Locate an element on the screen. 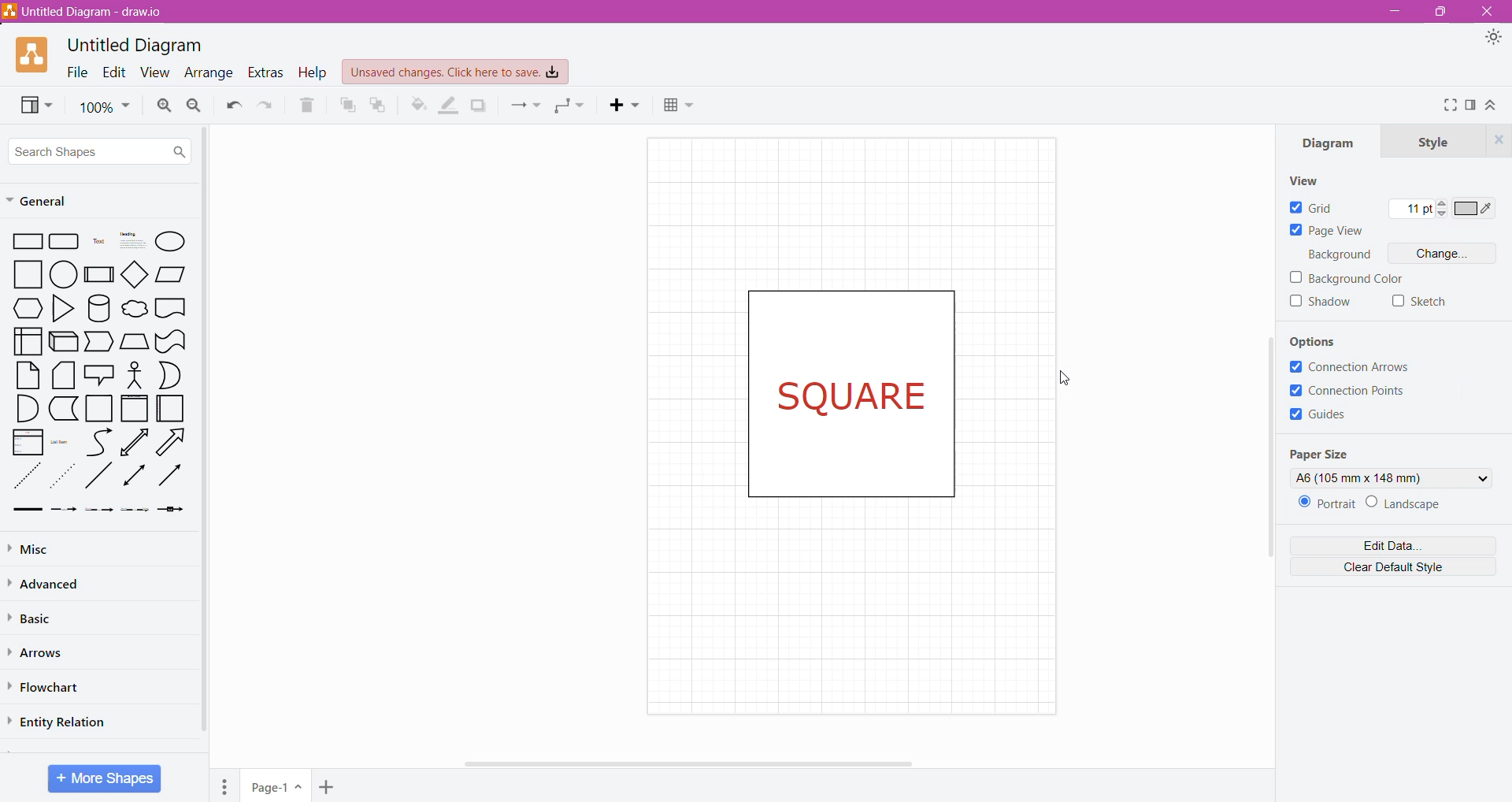 Image resolution: width=1512 pixels, height=802 pixels. Clear Default Style is located at coordinates (1395, 566).